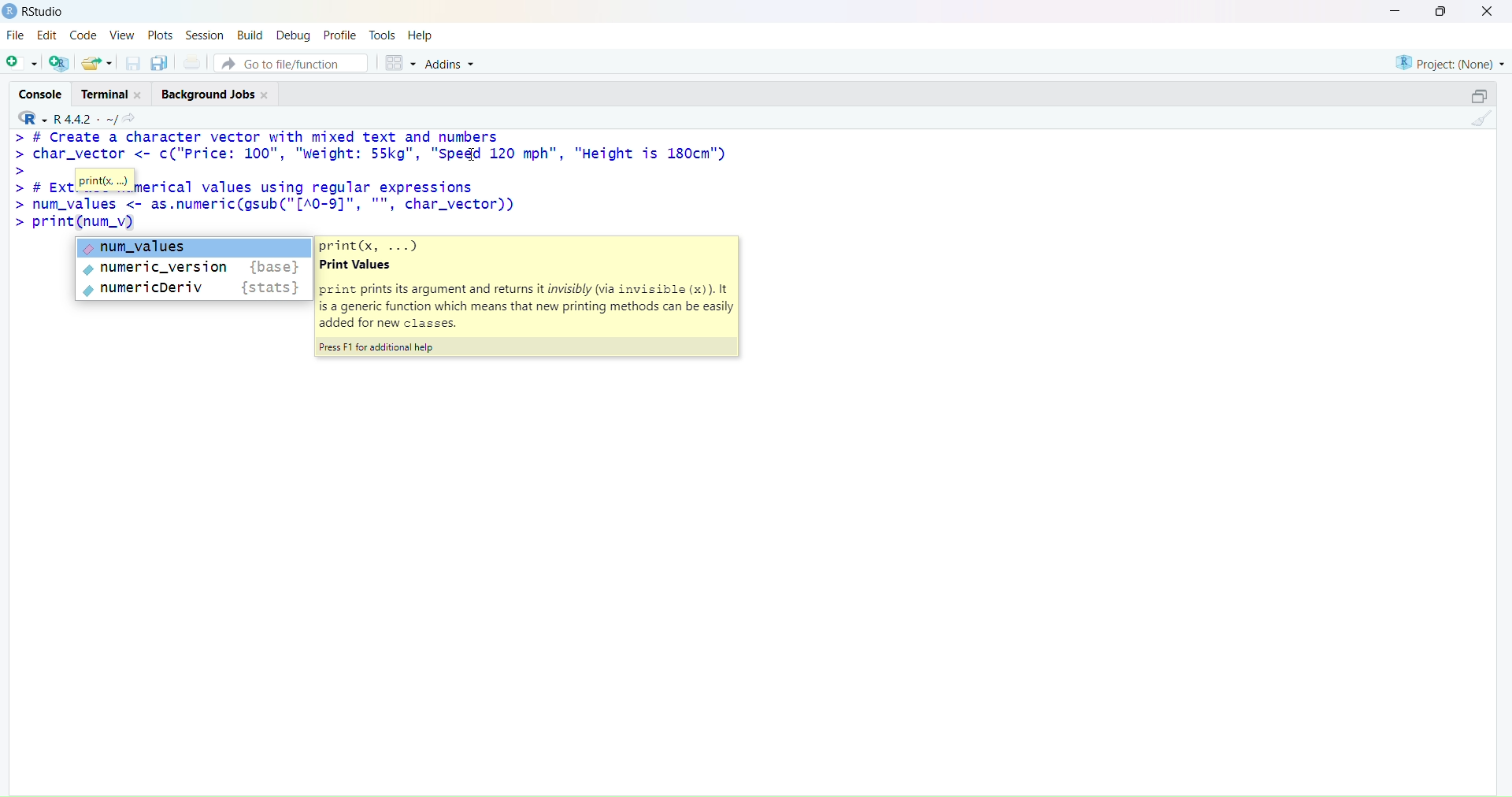 The width and height of the screenshot is (1512, 797). What do you see at coordinates (28, 187) in the screenshot?
I see `> #` at bounding box center [28, 187].